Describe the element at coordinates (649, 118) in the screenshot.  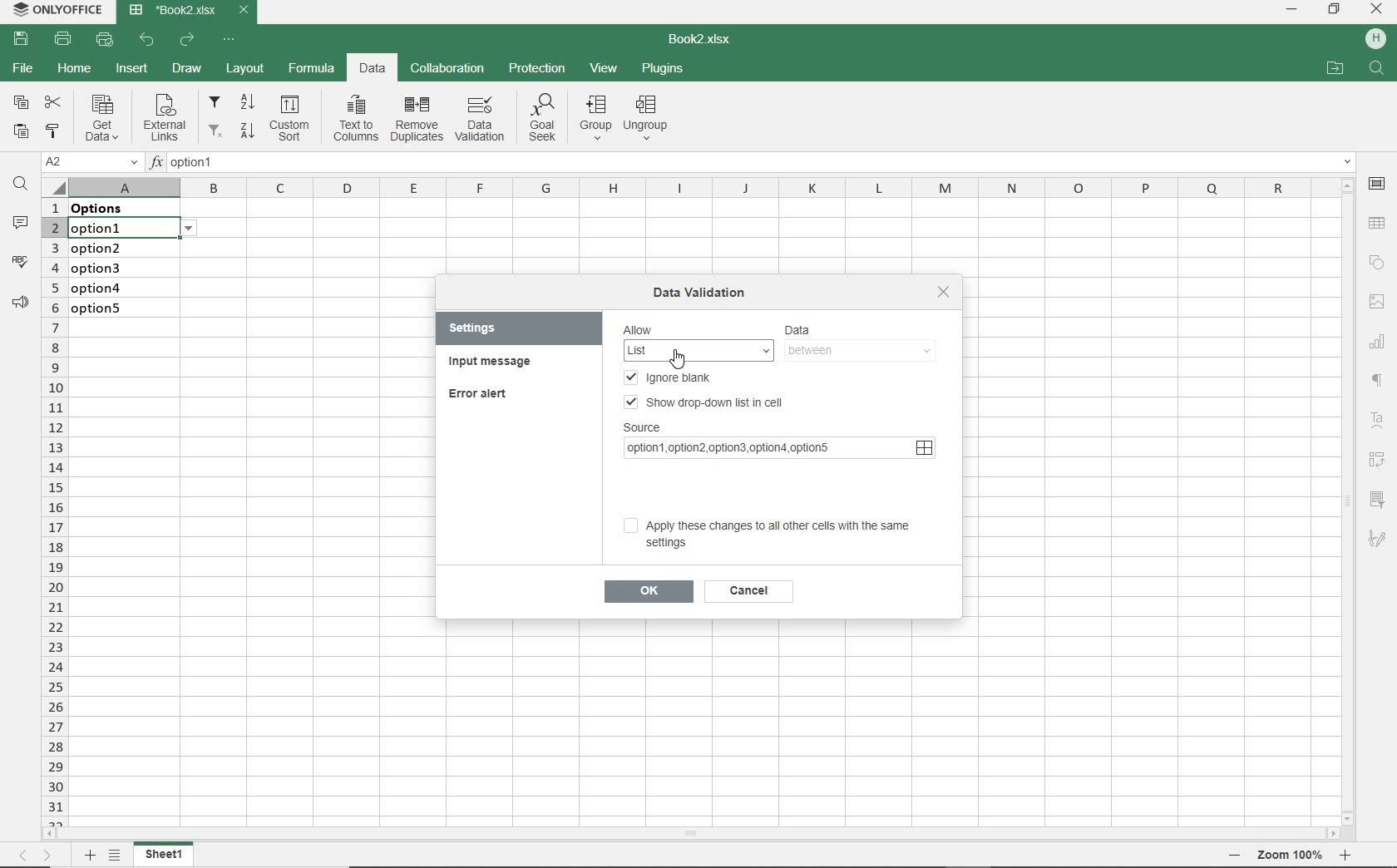
I see `Ungroup` at that location.